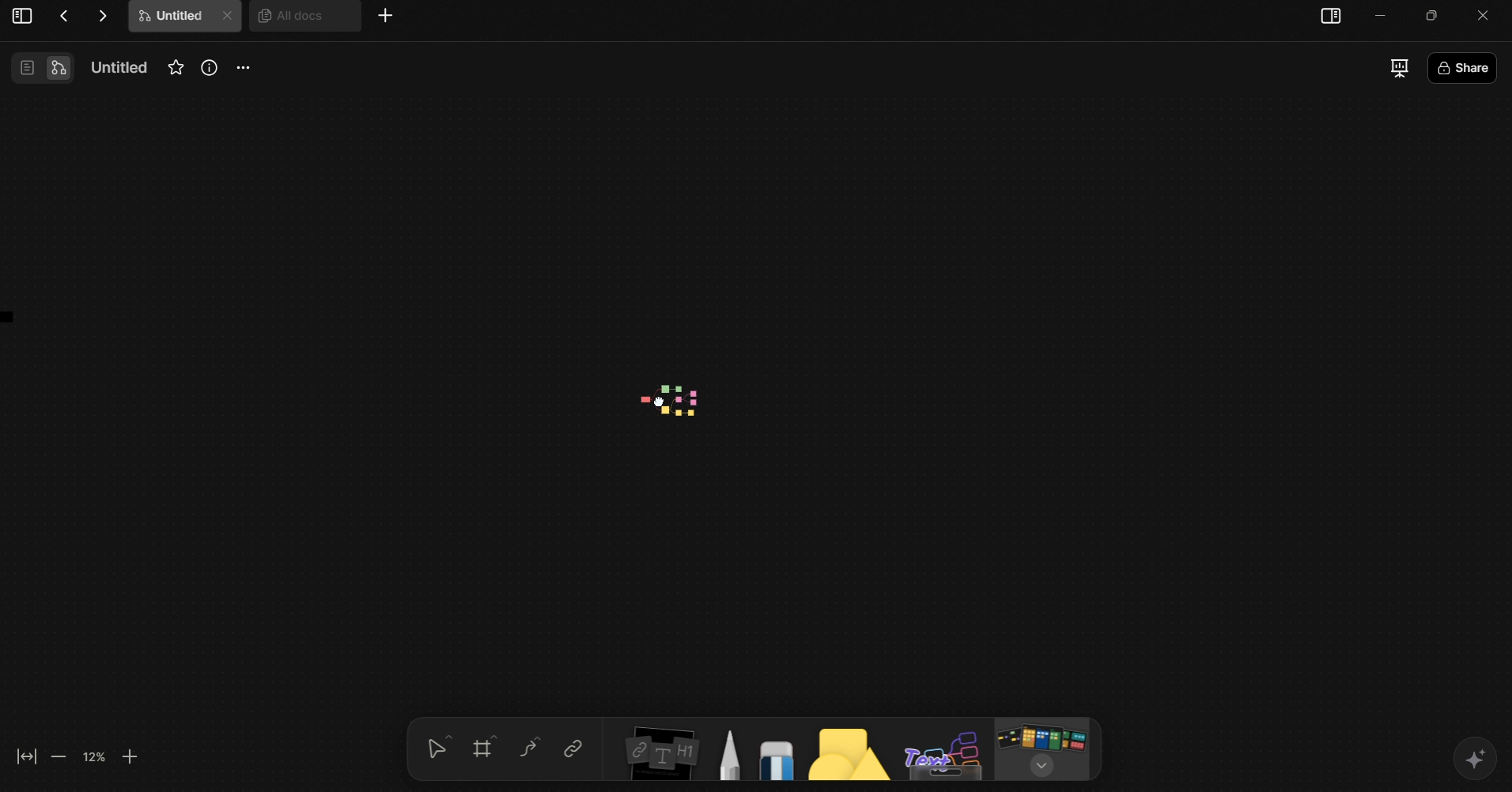  What do you see at coordinates (1477, 761) in the screenshot?
I see `AI` at bounding box center [1477, 761].